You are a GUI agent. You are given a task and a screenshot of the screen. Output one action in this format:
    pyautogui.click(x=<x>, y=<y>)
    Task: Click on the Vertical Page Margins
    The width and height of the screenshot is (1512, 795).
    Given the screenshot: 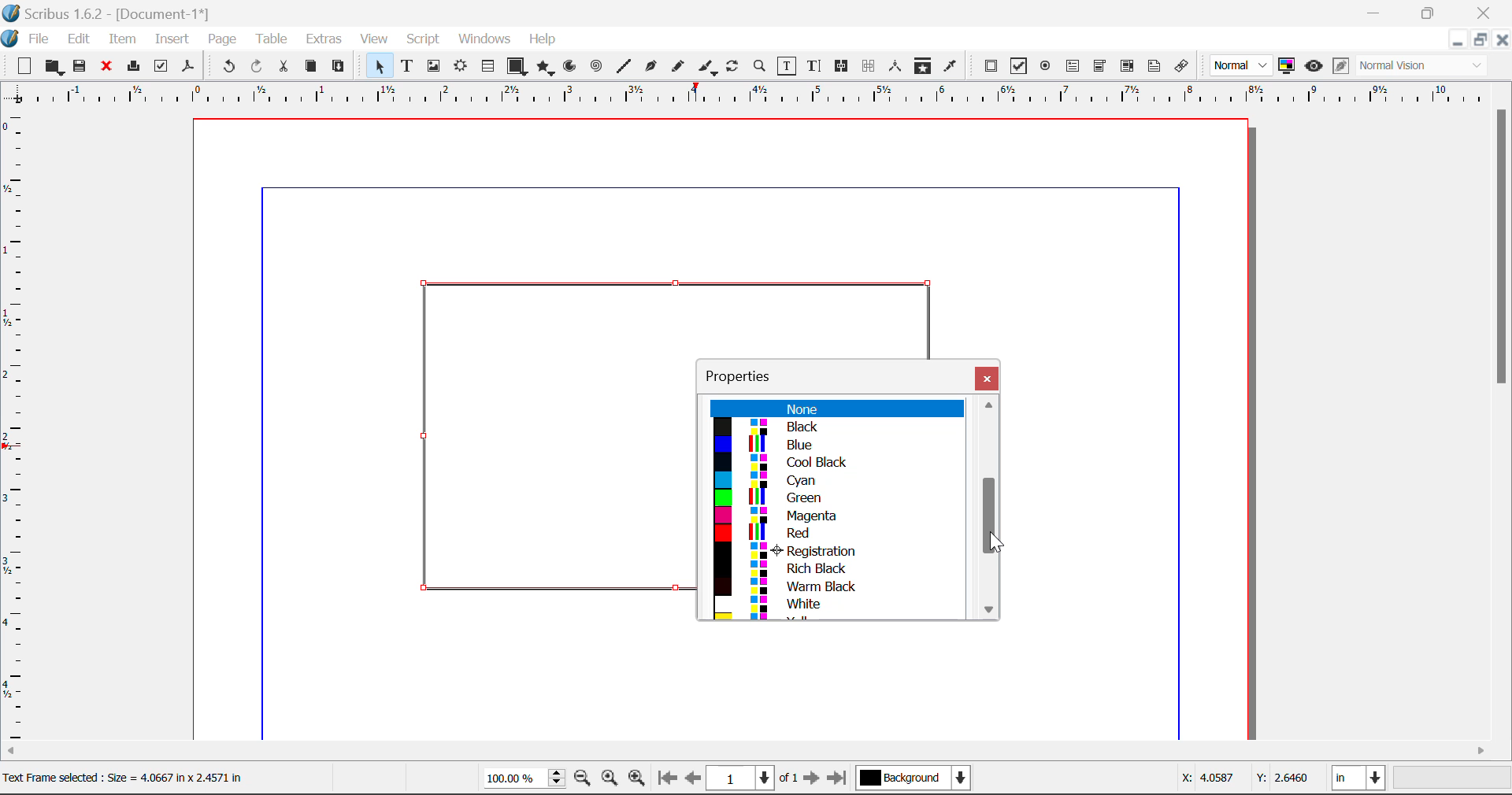 What is the action you would take?
    pyautogui.click(x=764, y=94)
    